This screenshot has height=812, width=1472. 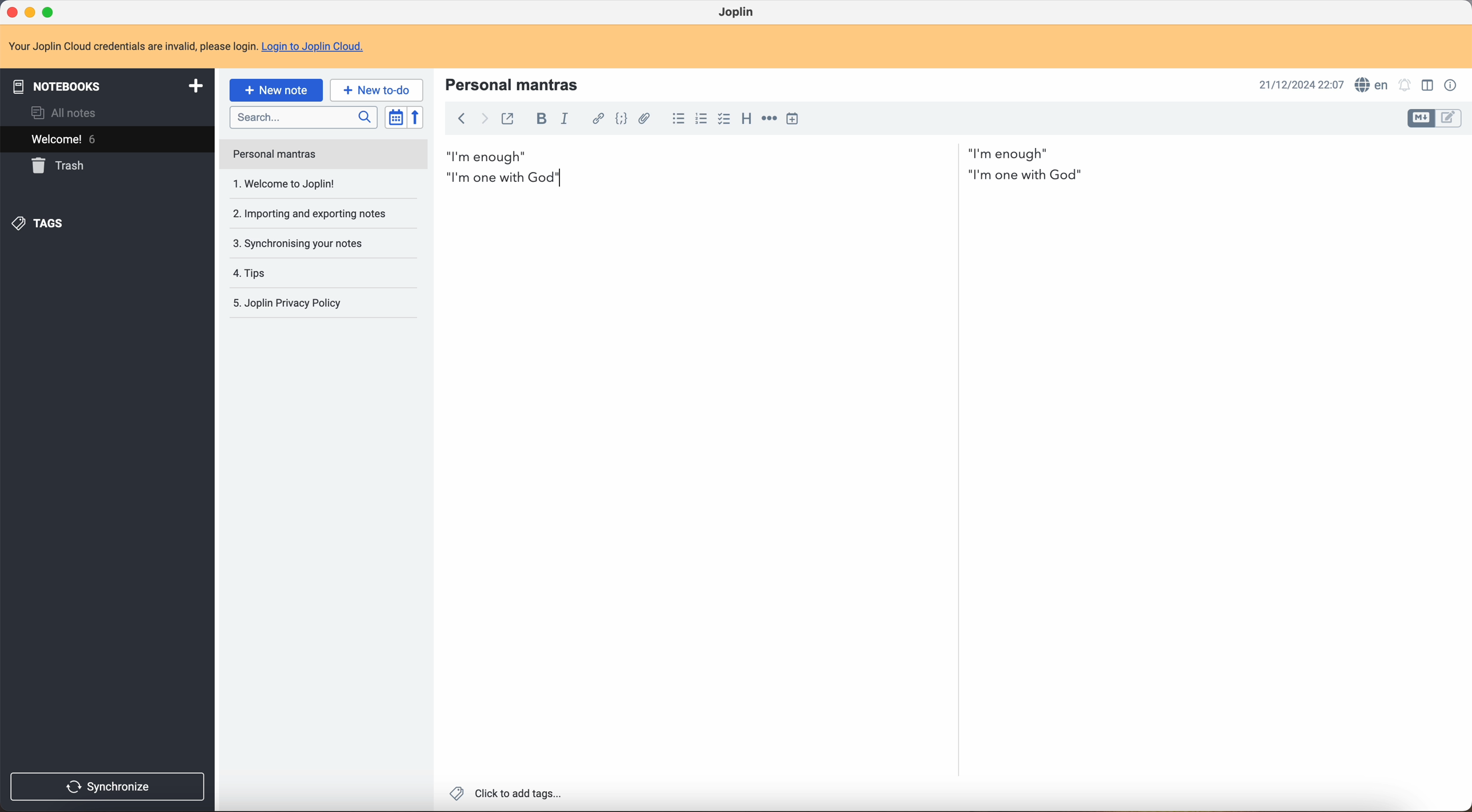 I want to click on reverse sort order, so click(x=416, y=118).